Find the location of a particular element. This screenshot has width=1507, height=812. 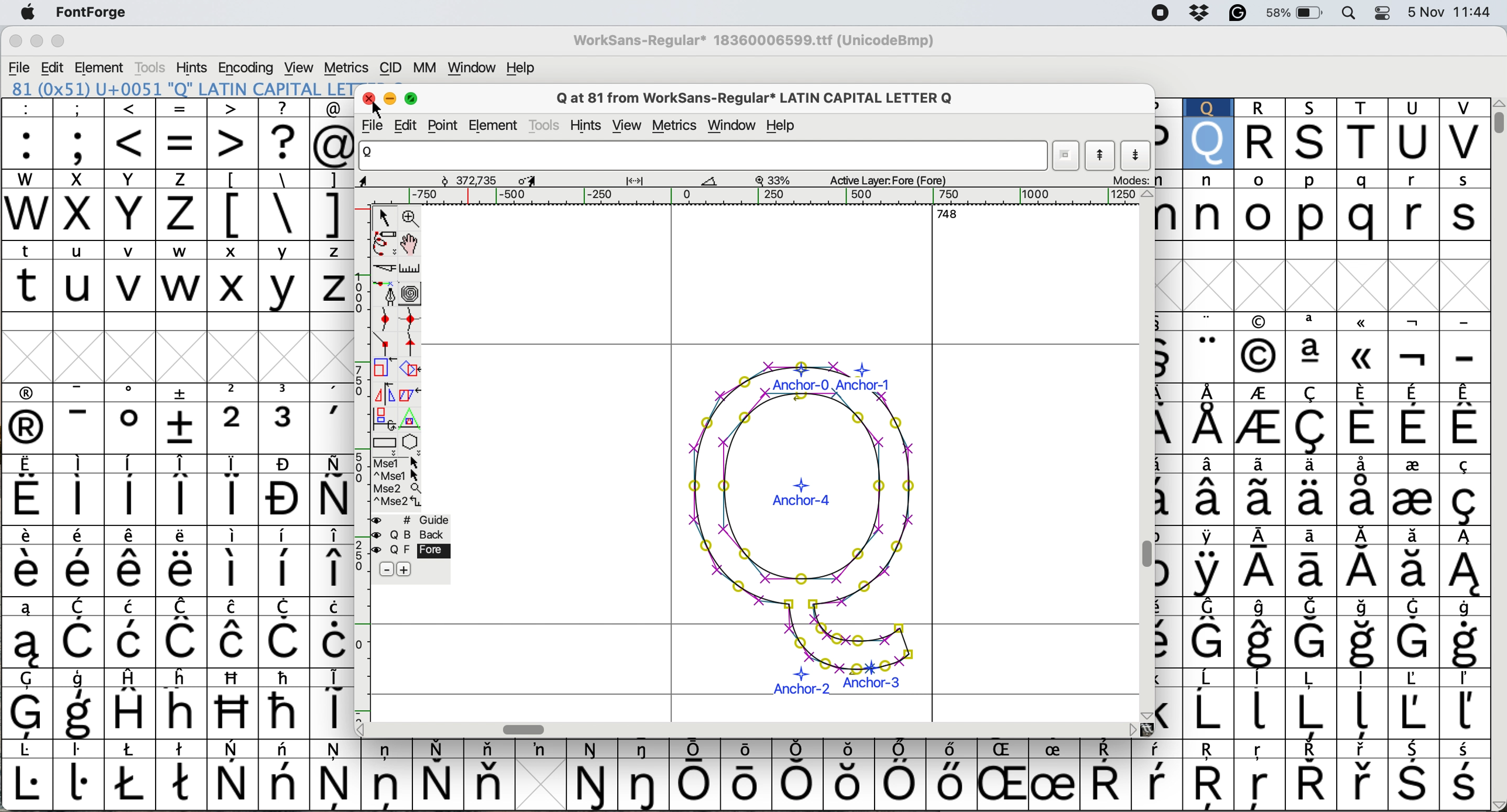

text is located at coordinates (745, 751).